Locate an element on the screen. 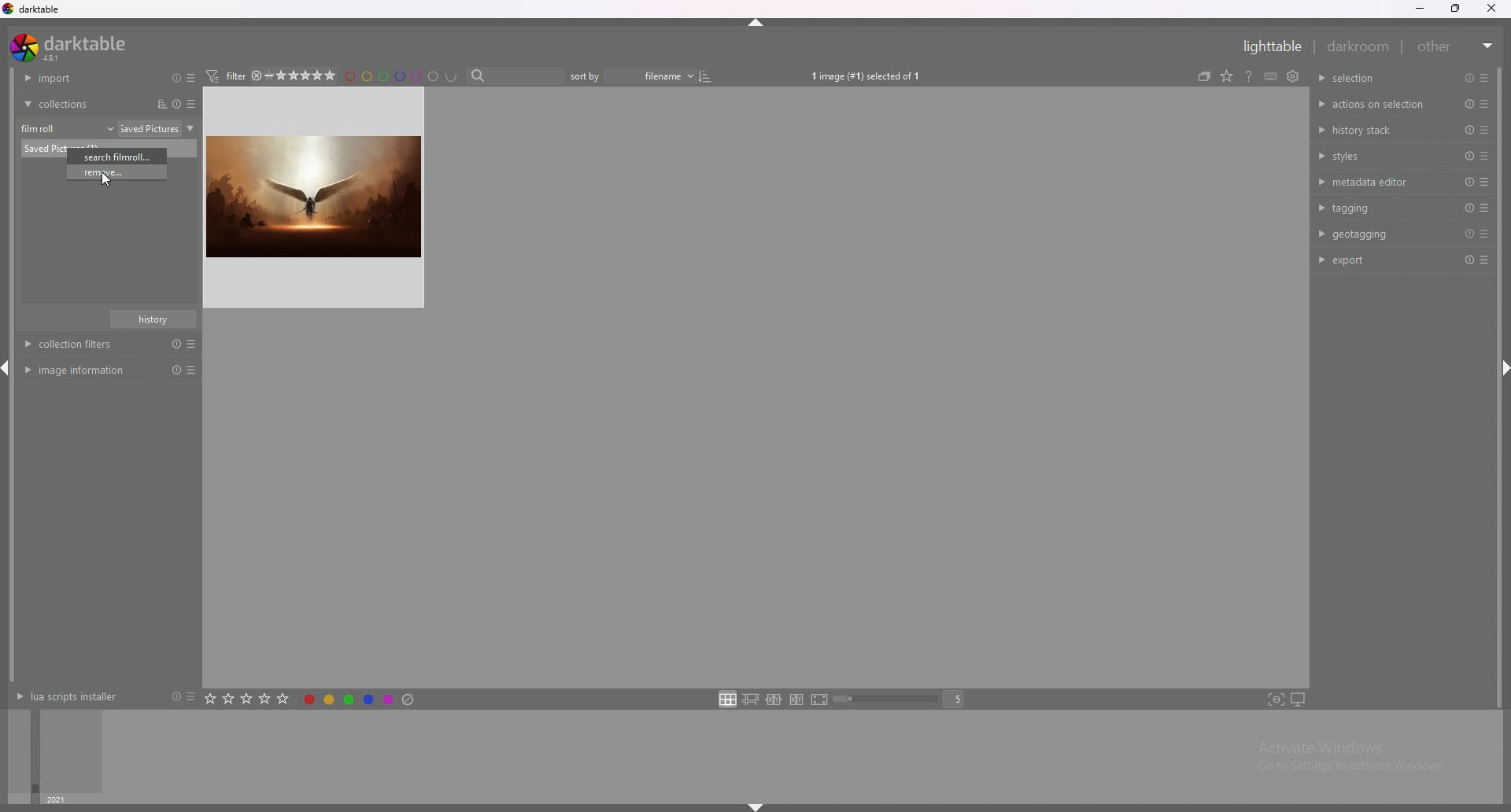  search bar is located at coordinates (519, 76).